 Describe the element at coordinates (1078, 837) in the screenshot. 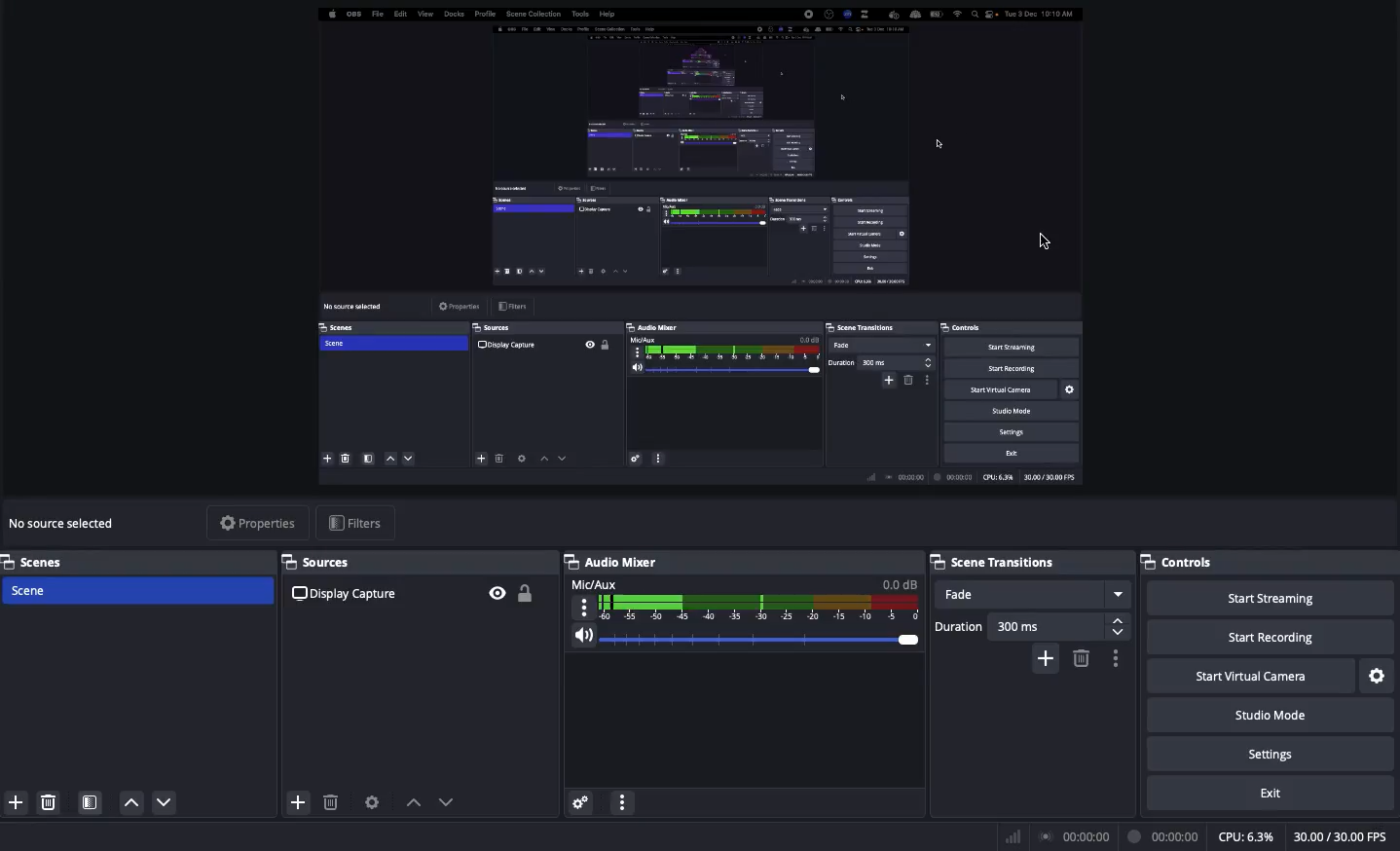

I see `Broadcast` at that location.